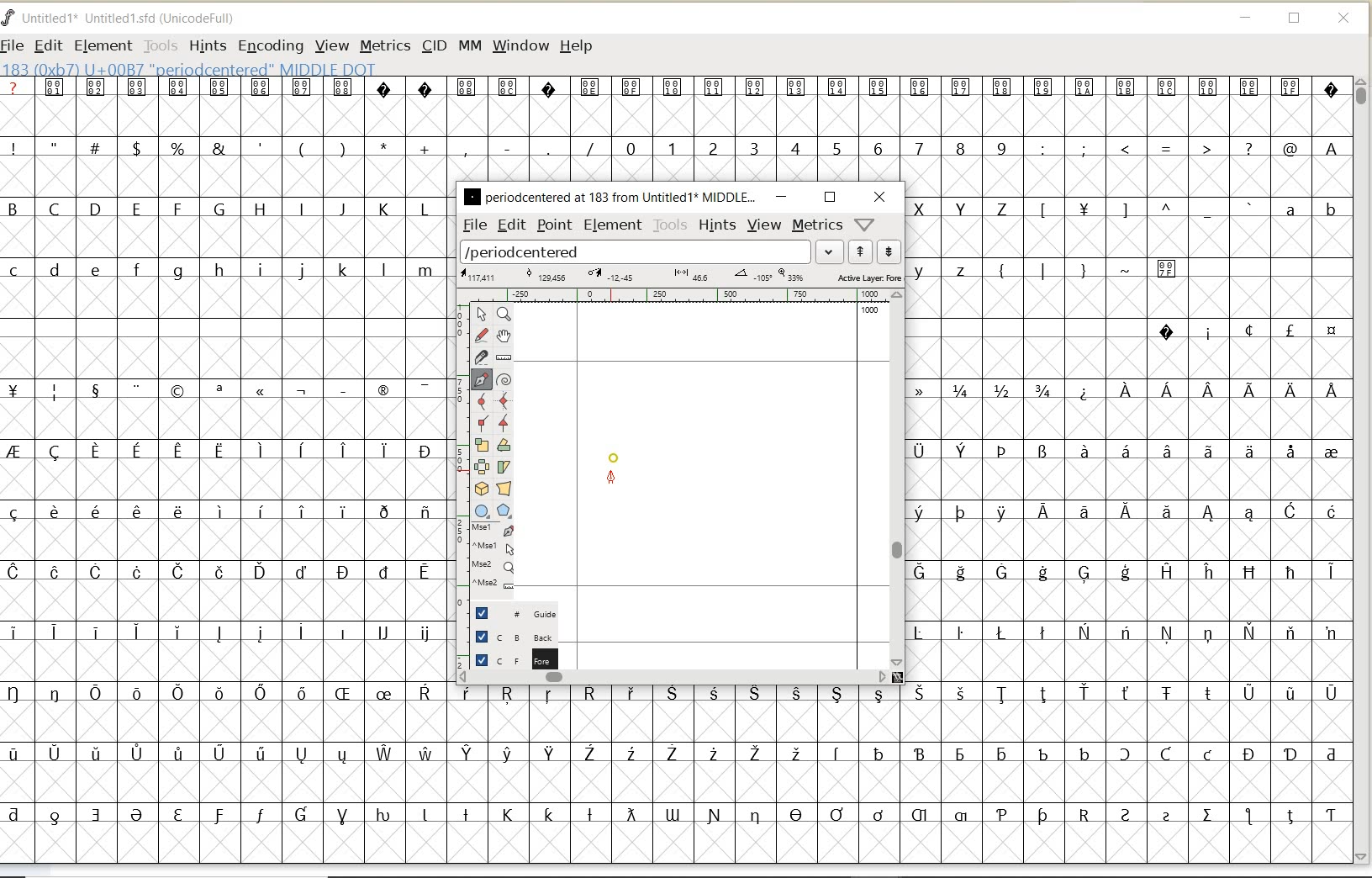 The width and height of the screenshot is (1372, 878). What do you see at coordinates (683, 294) in the screenshot?
I see `ruler` at bounding box center [683, 294].